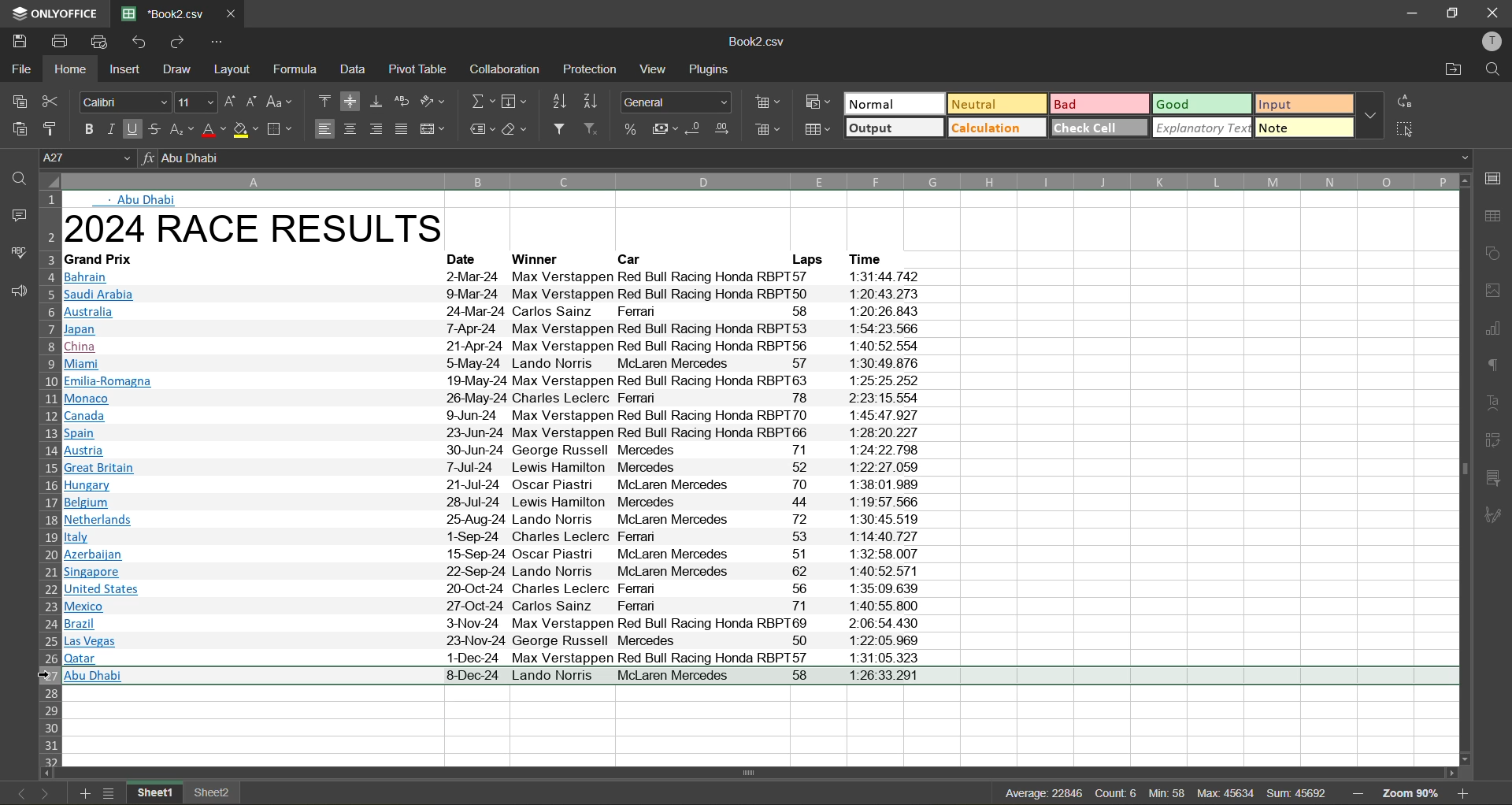 This screenshot has width=1512, height=805. Describe the element at coordinates (635, 259) in the screenshot. I see `text info` at that location.